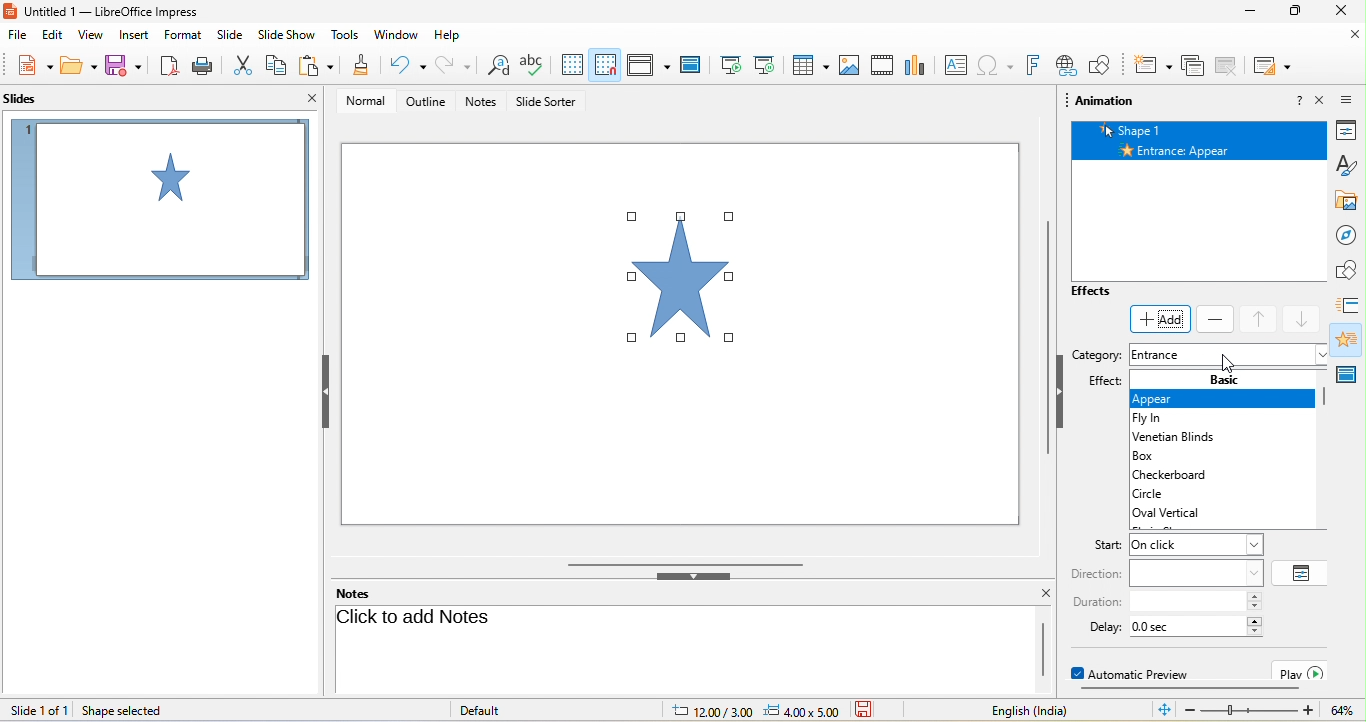 The image size is (1366, 722). I want to click on slide dimension: 4.00x5.00, so click(801, 711).